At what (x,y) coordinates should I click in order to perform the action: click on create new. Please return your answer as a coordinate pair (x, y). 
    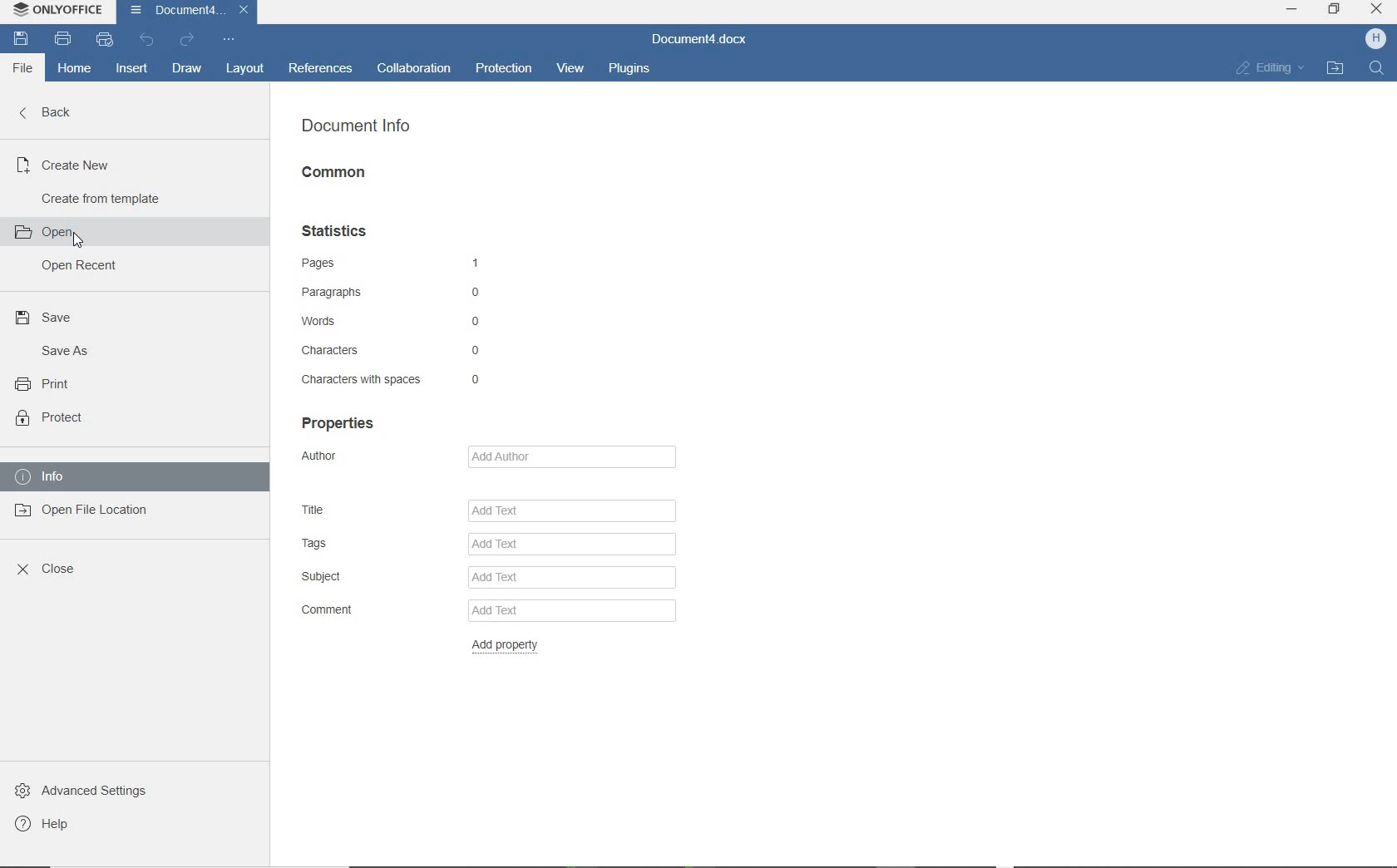
    Looking at the image, I should click on (63, 165).